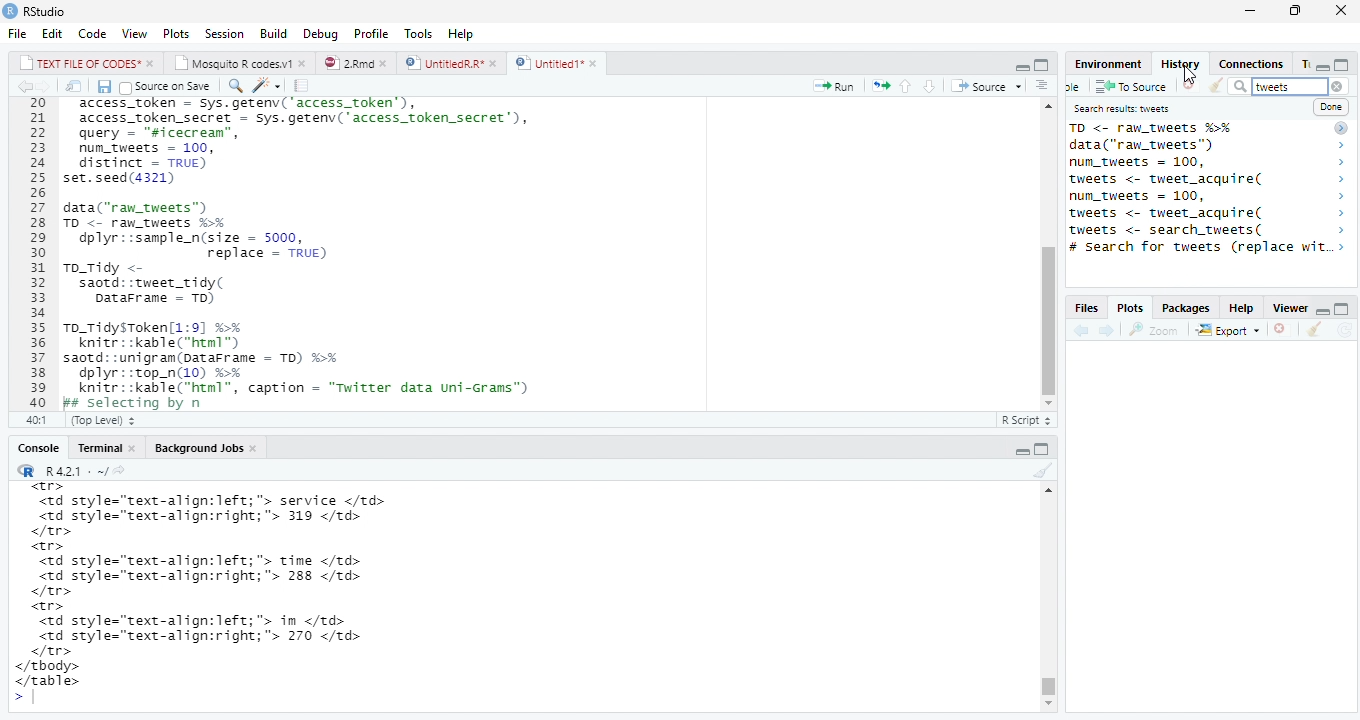 This screenshot has height=720, width=1360. What do you see at coordinates (51, 31) in the screenshot?
I see `Edit` at bounding box center [51, 31].